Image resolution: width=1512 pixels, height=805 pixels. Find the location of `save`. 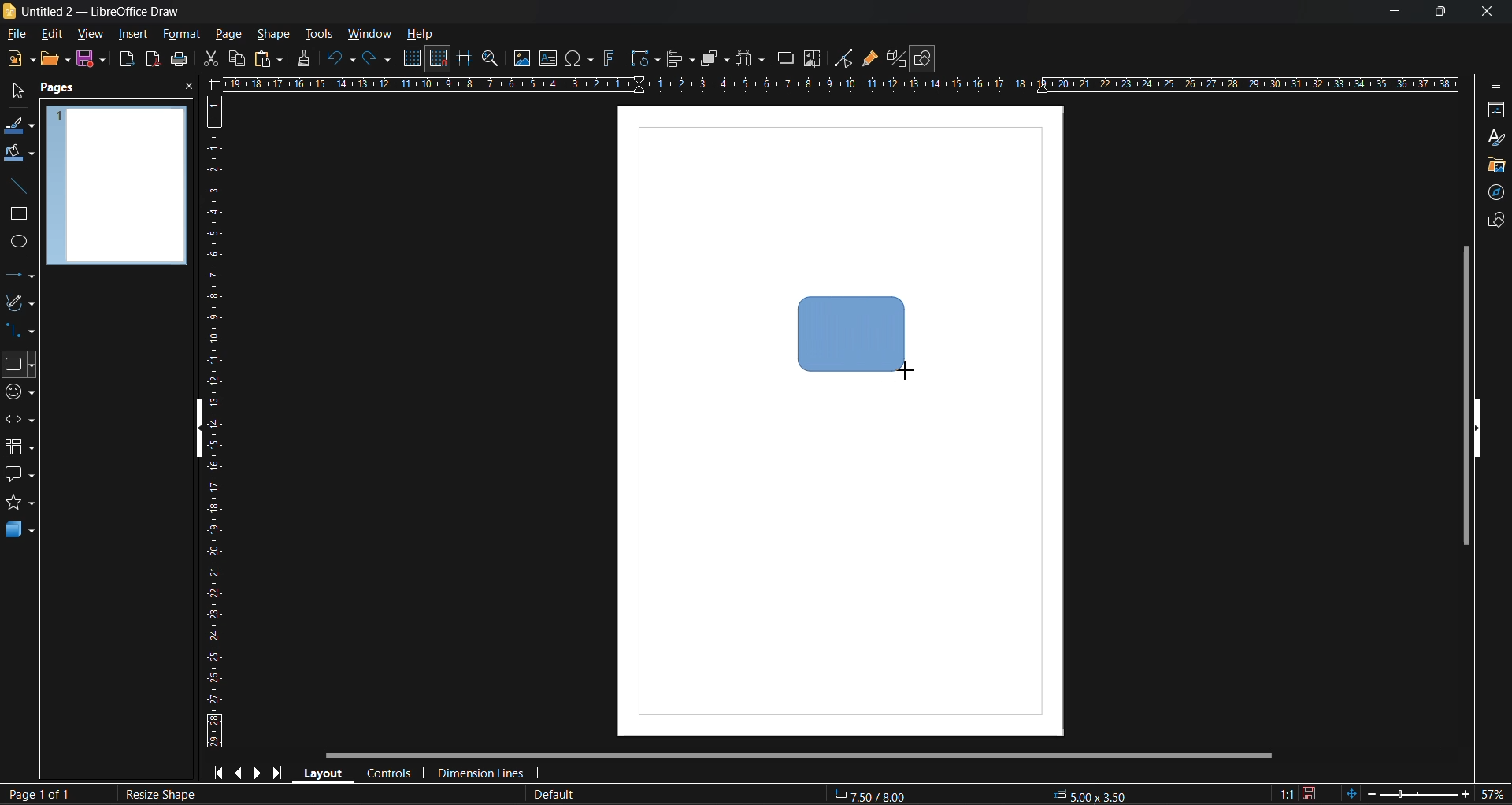

save is located at coordinates (180, 59).